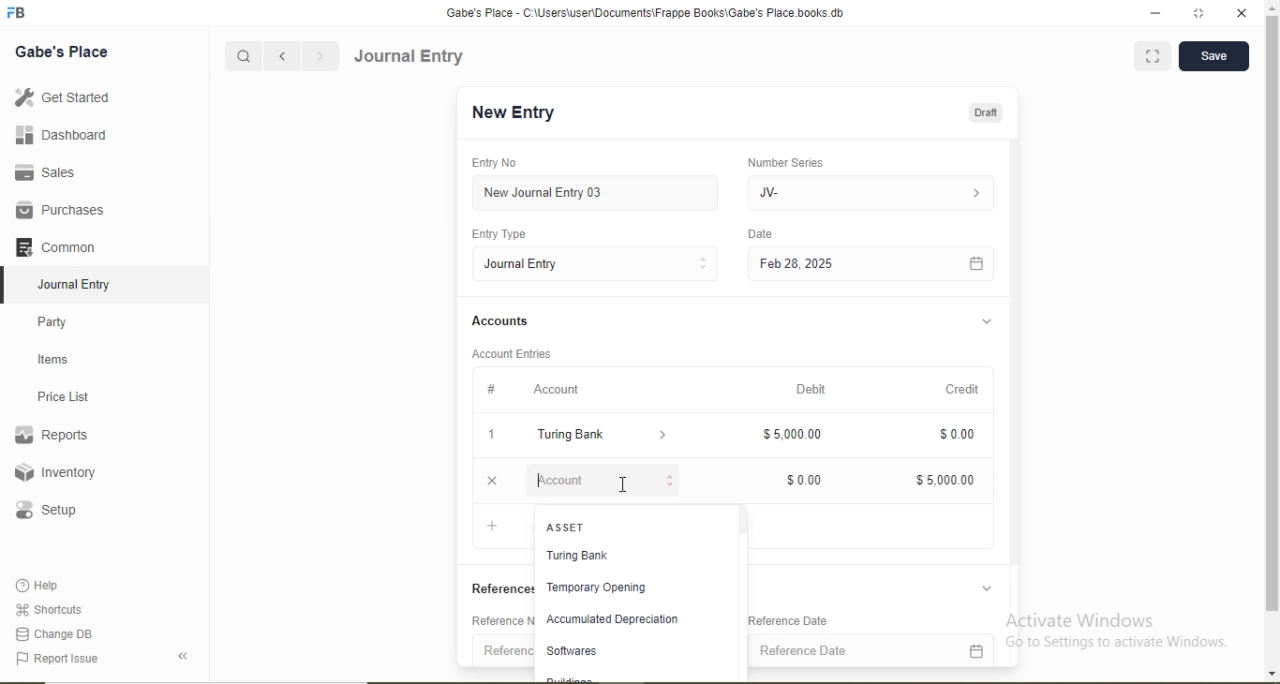 This screenshot has width=1280, height=684. I want to click on Report Issue, so click(56, 659).